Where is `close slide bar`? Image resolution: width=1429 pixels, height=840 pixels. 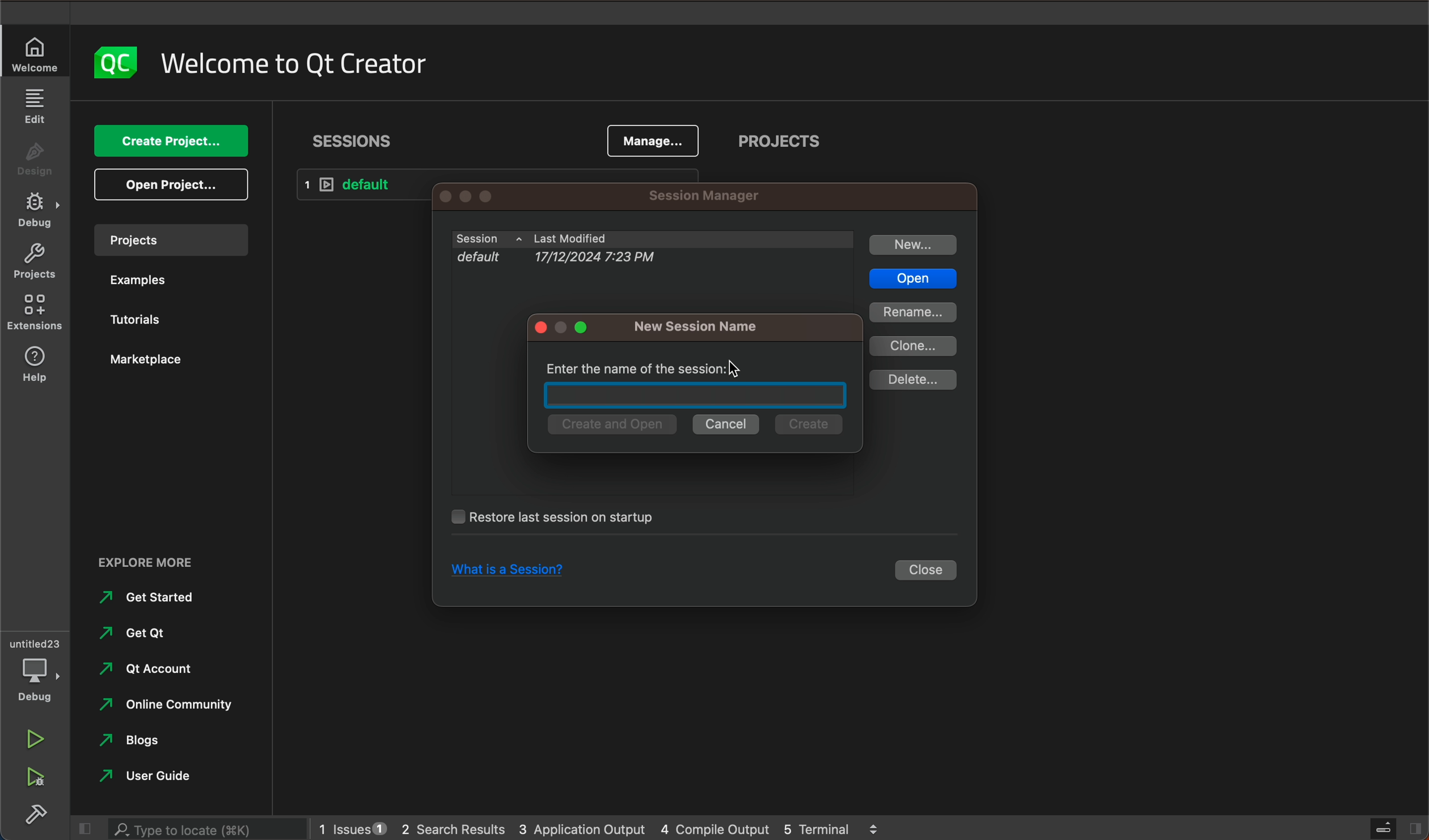
close slide bar is located at coordinates (81, 829).